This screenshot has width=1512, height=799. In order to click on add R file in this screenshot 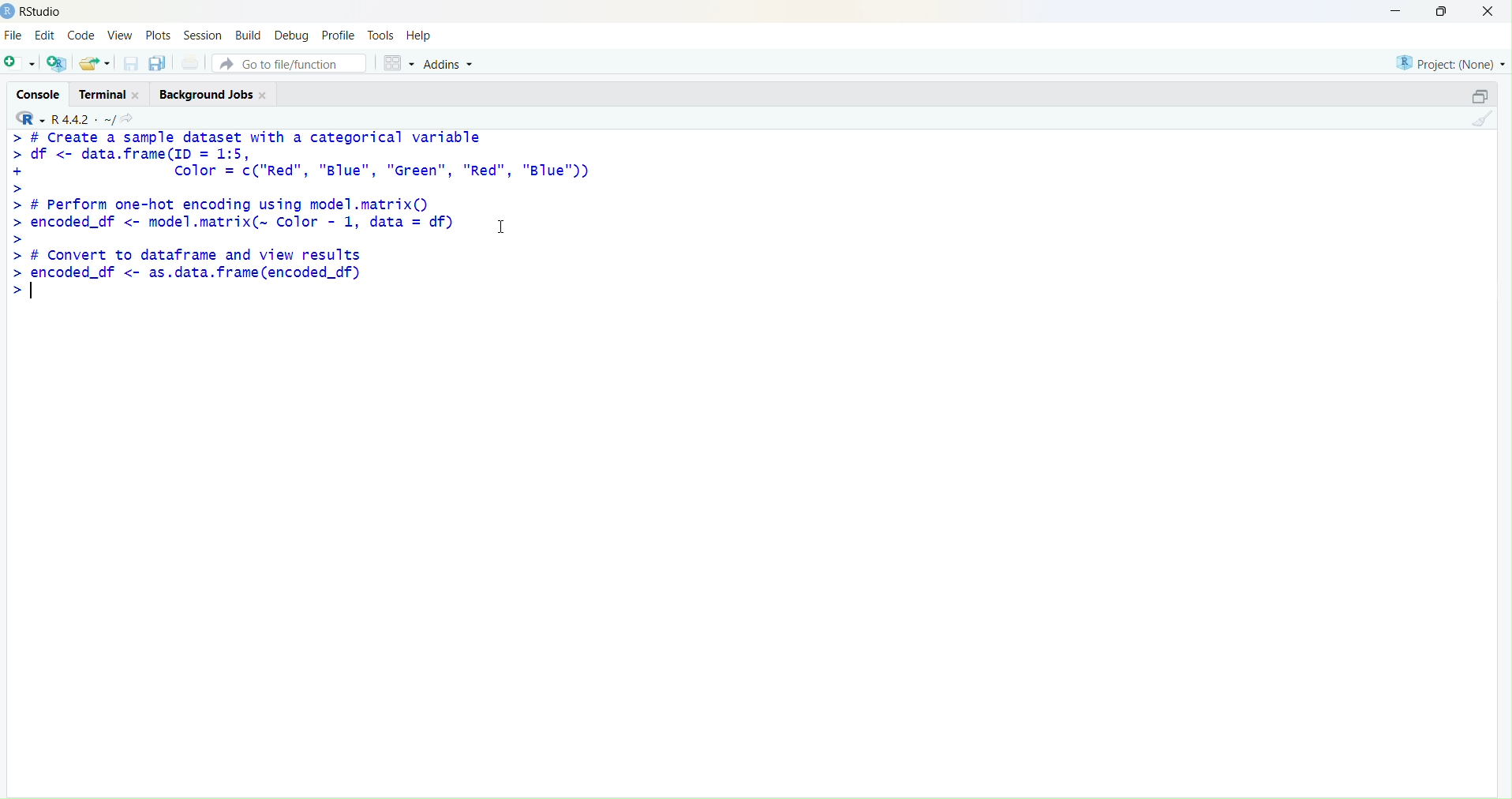, I will do `click(57, 63)`.